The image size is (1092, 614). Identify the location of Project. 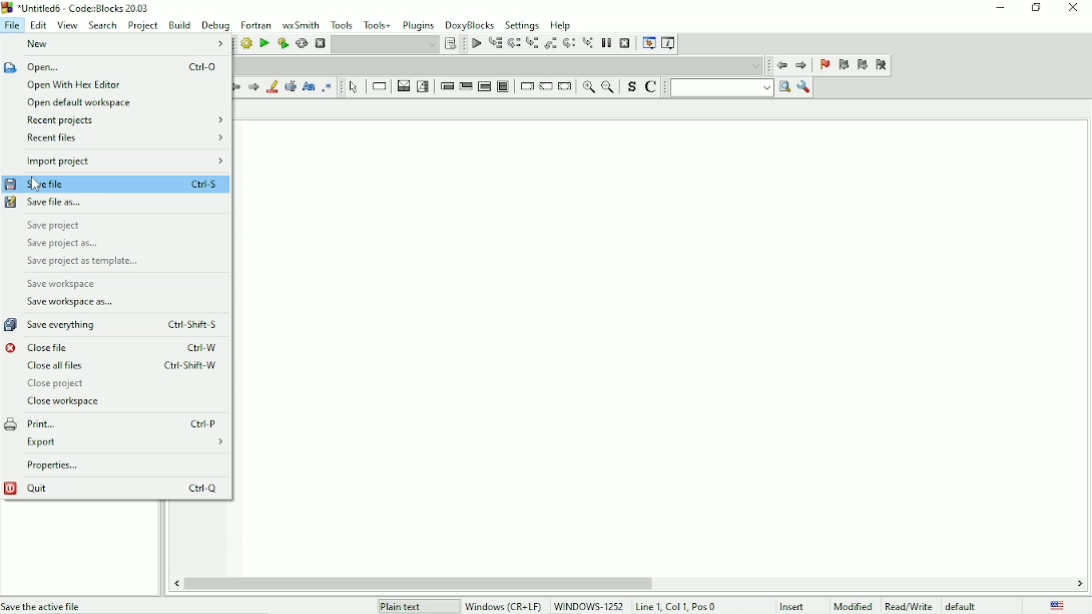
(143, 25).